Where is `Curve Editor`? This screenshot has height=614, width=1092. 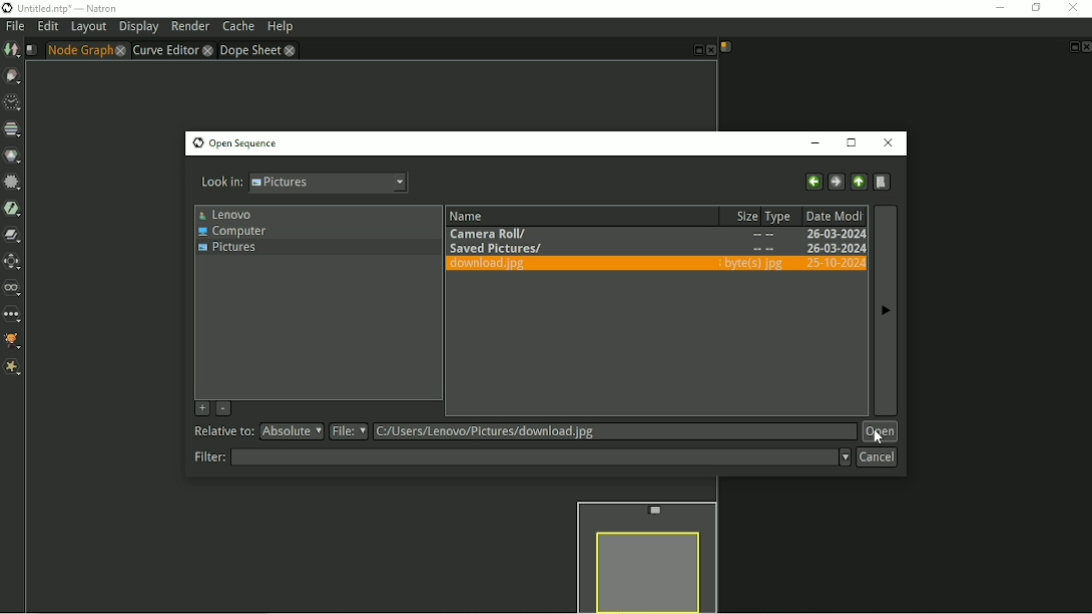
Curve Editor is located at coordinates (171, 50).